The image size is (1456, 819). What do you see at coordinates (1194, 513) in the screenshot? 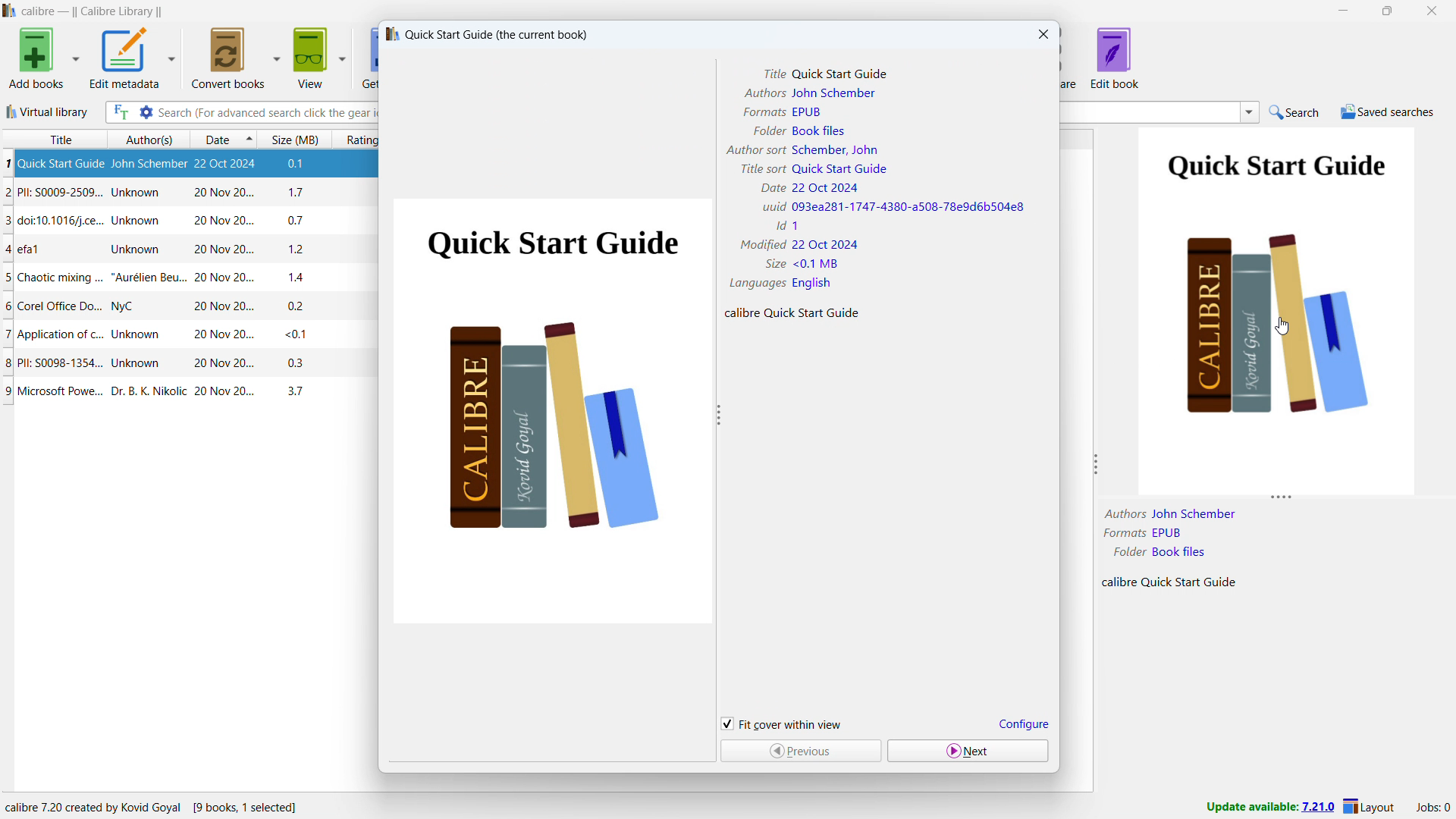
I see `John Schember` at bounding box center [1194, 513].